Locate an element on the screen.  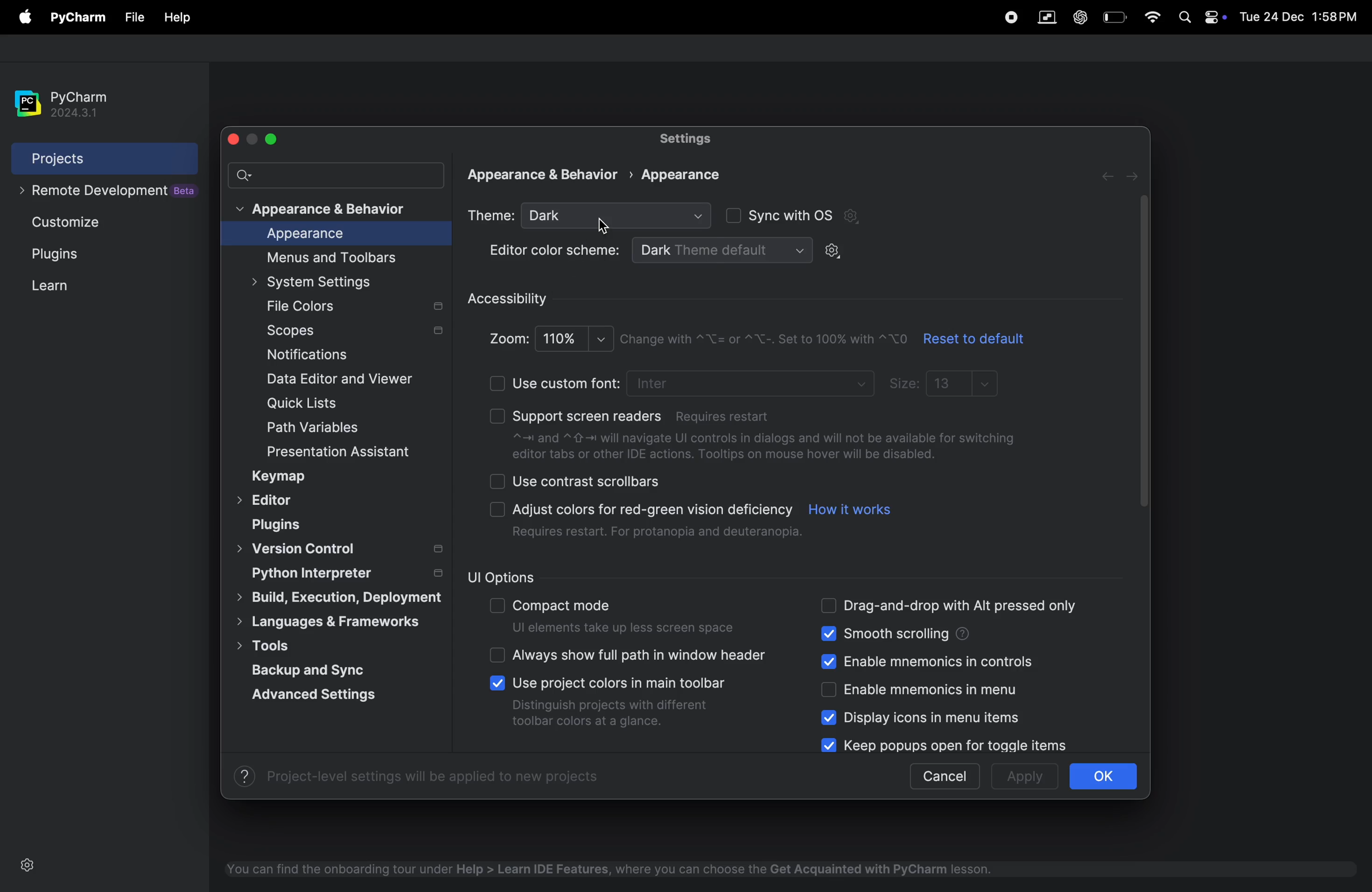
dark theme default is located at coordinates (751, 250).